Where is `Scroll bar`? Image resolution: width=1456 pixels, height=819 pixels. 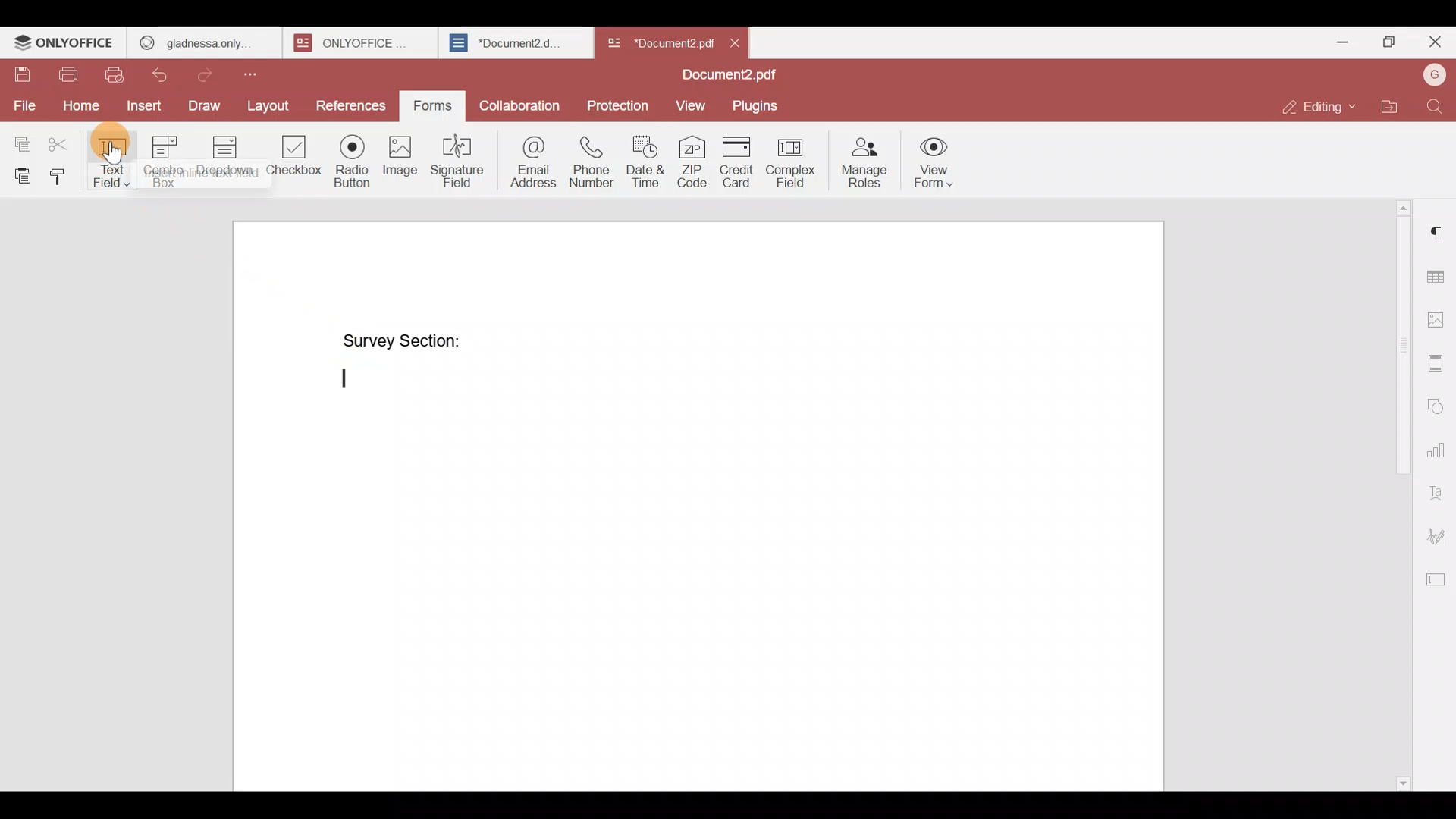
Scroll bar is located at coordinates (1397, 490).